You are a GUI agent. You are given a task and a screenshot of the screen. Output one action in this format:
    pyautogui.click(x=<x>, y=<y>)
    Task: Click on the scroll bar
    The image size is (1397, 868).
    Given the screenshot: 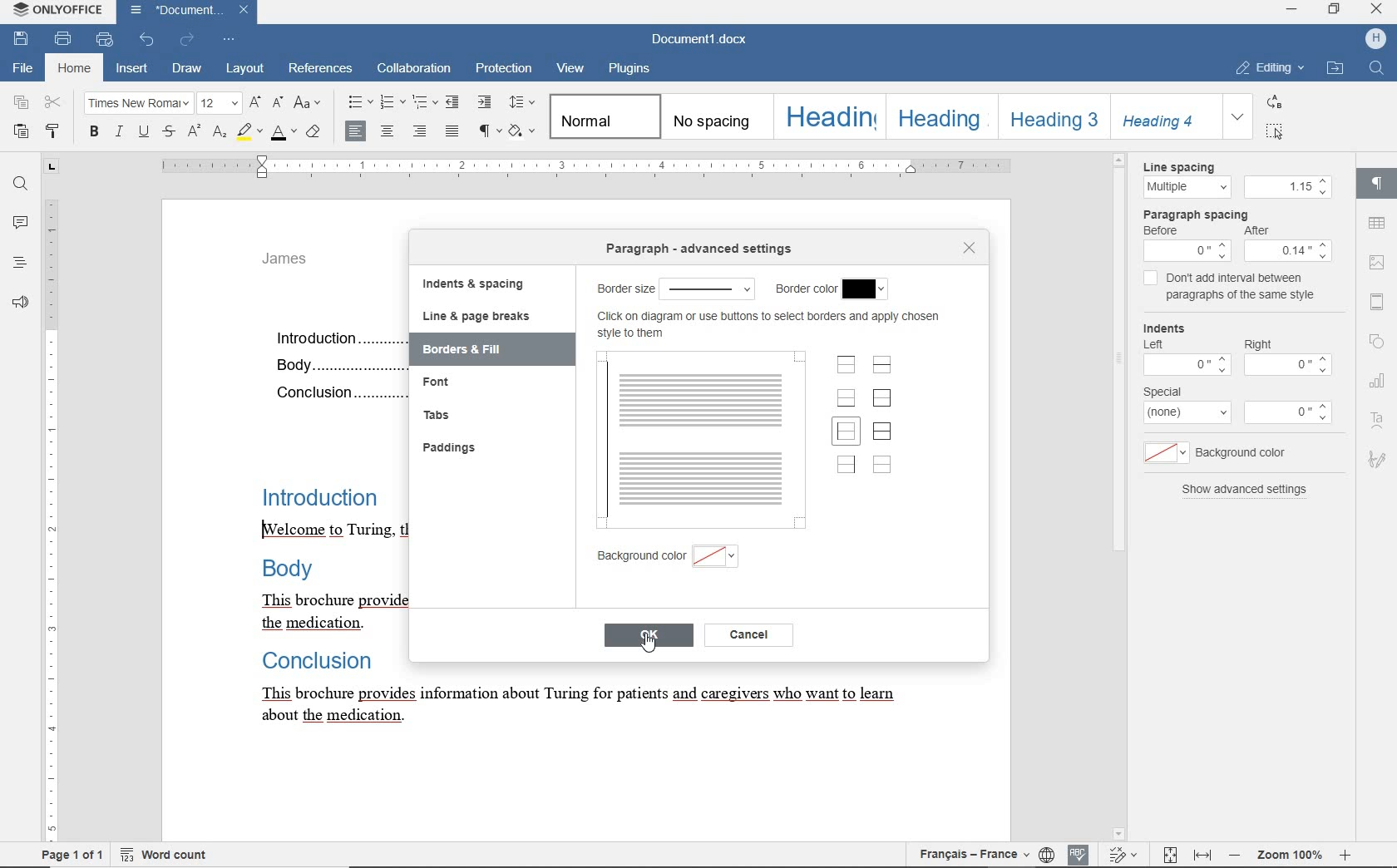 What is the action you would take?
    pyautogui.click(x=1117, y=495)
    